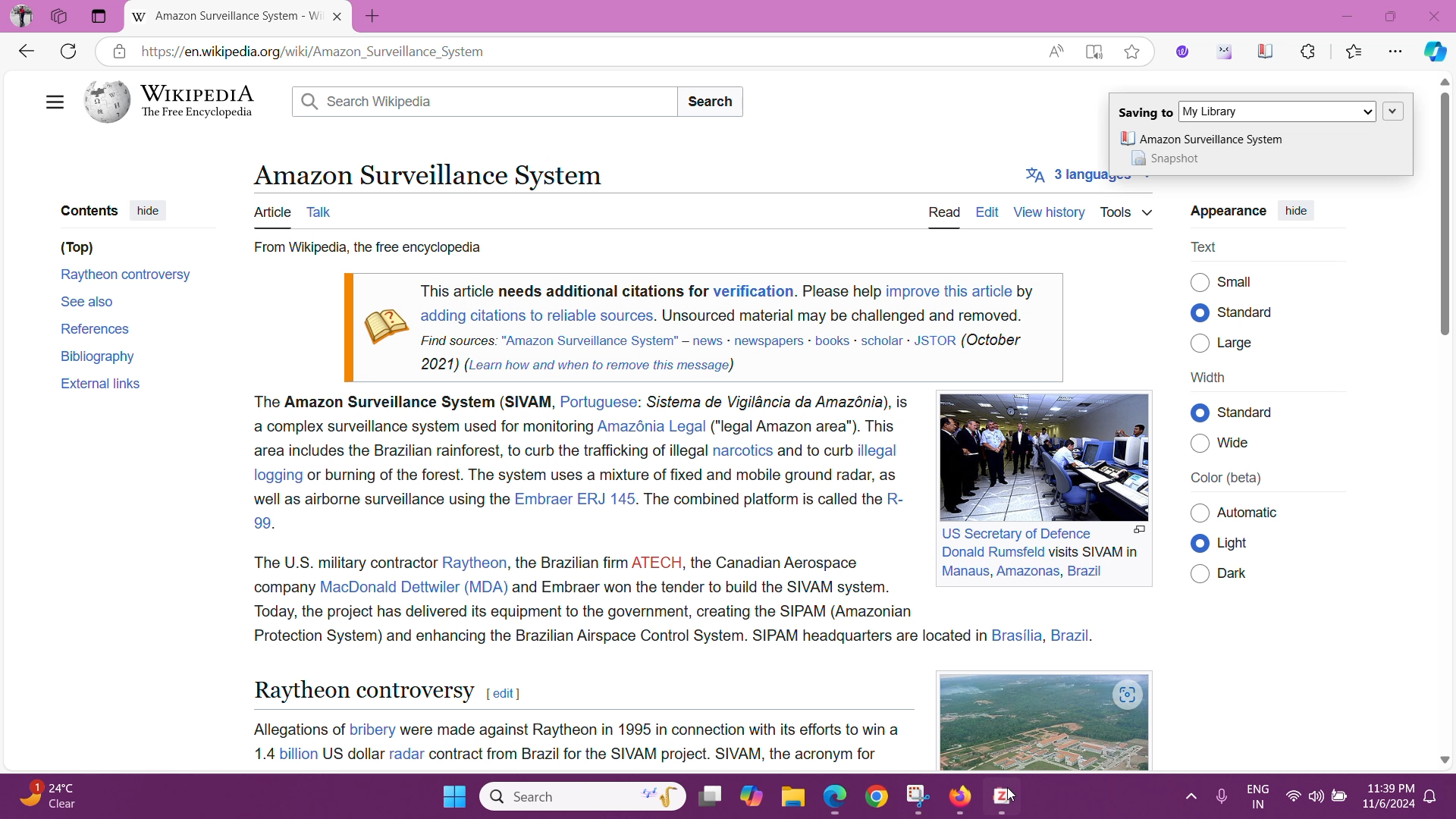 The image size is (1456, 819). I want to click on Portuguese, so click(598, 403).